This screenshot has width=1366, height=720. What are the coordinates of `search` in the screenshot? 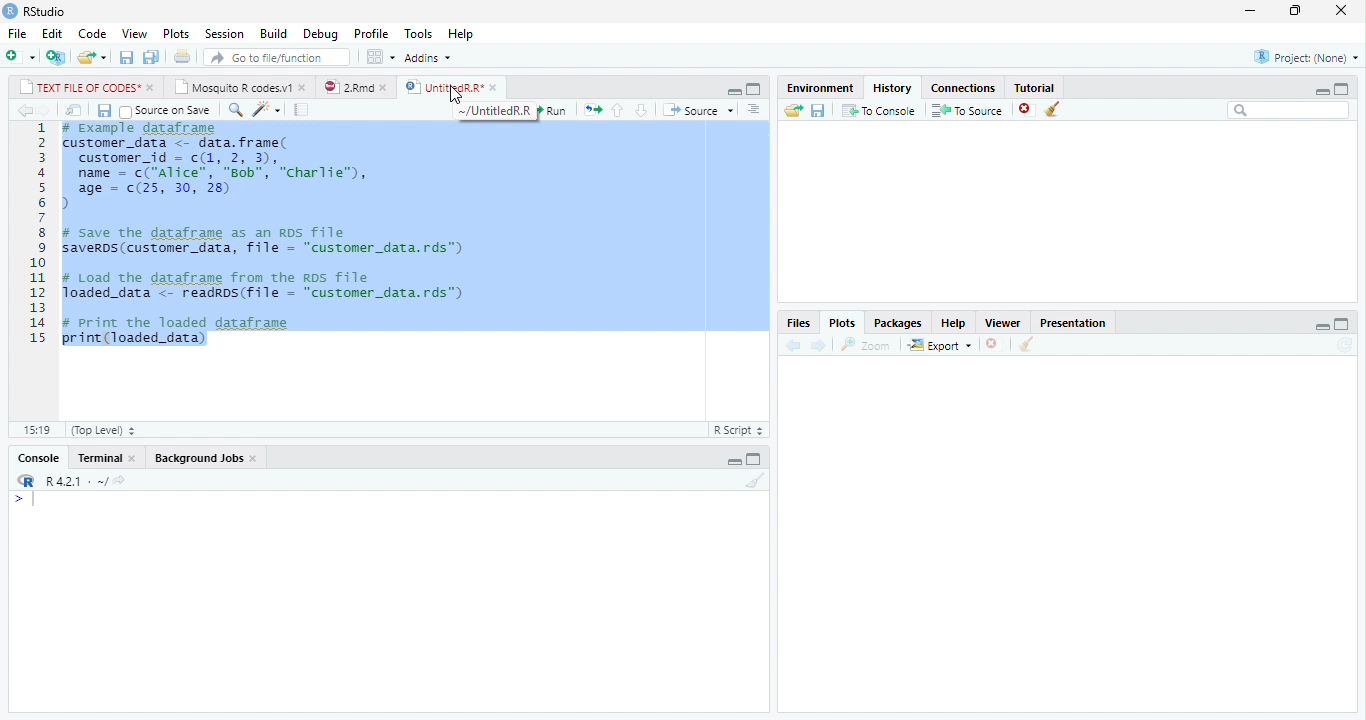 It's located at (1289, 110).